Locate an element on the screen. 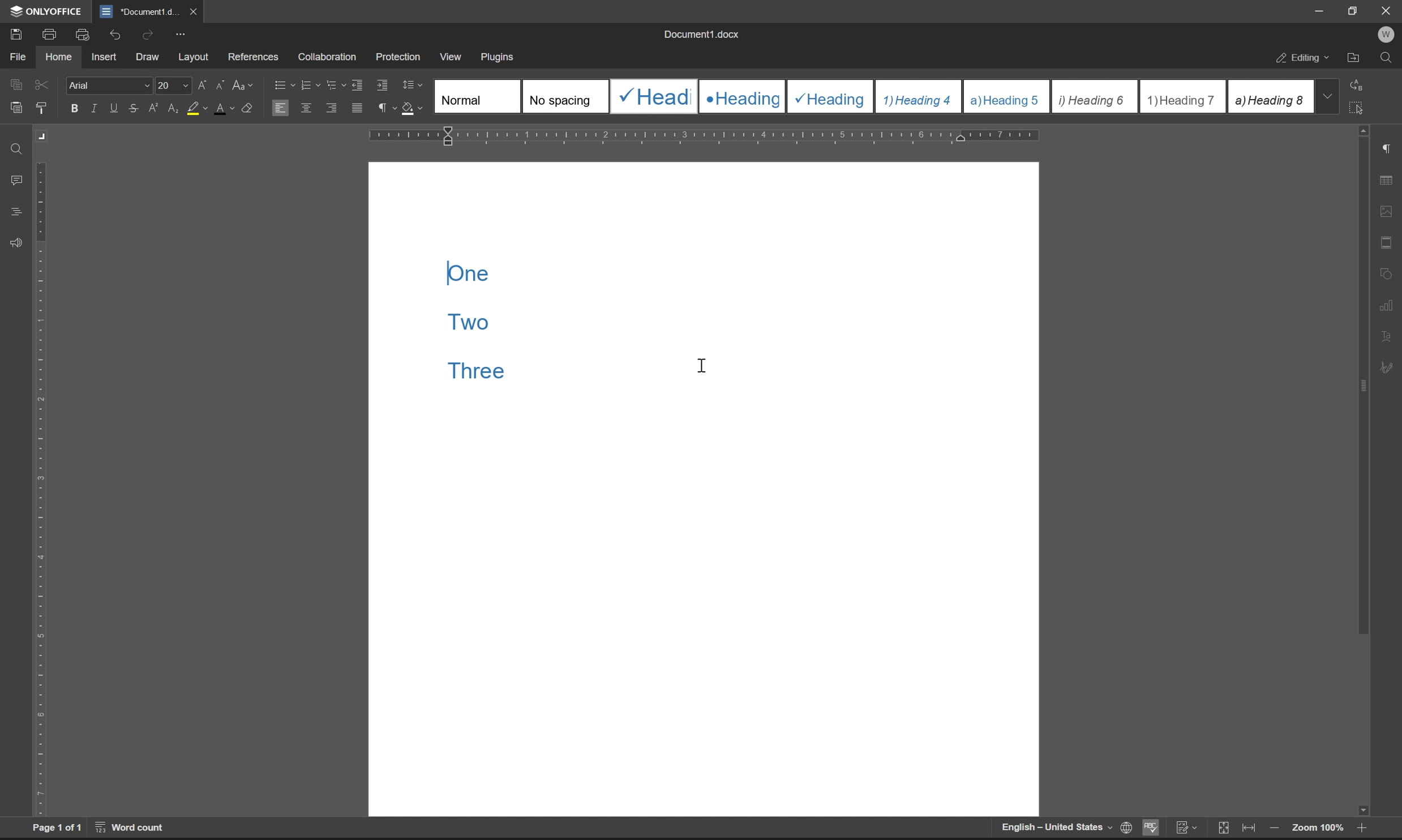  increment font case is located at coordinates (201, 83).